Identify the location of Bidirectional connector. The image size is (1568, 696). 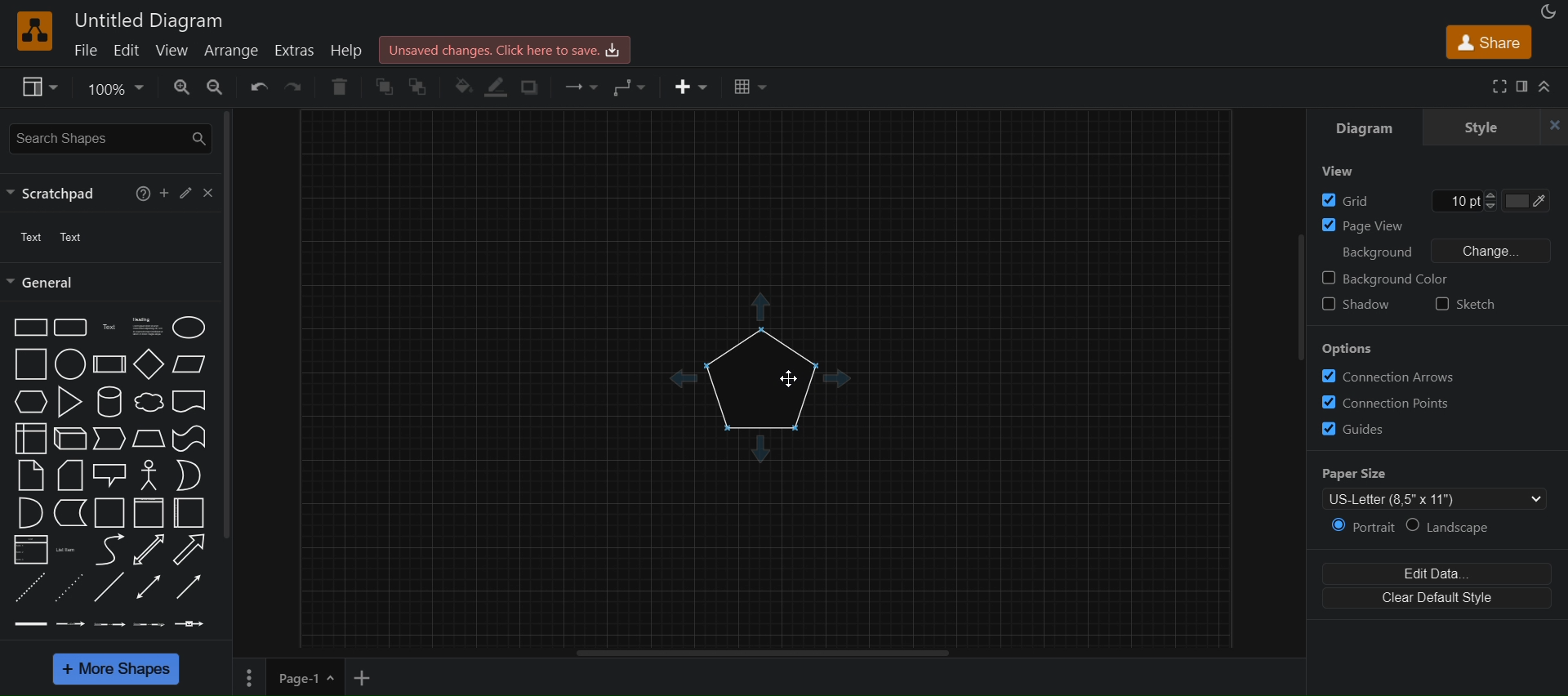
(149, 587).